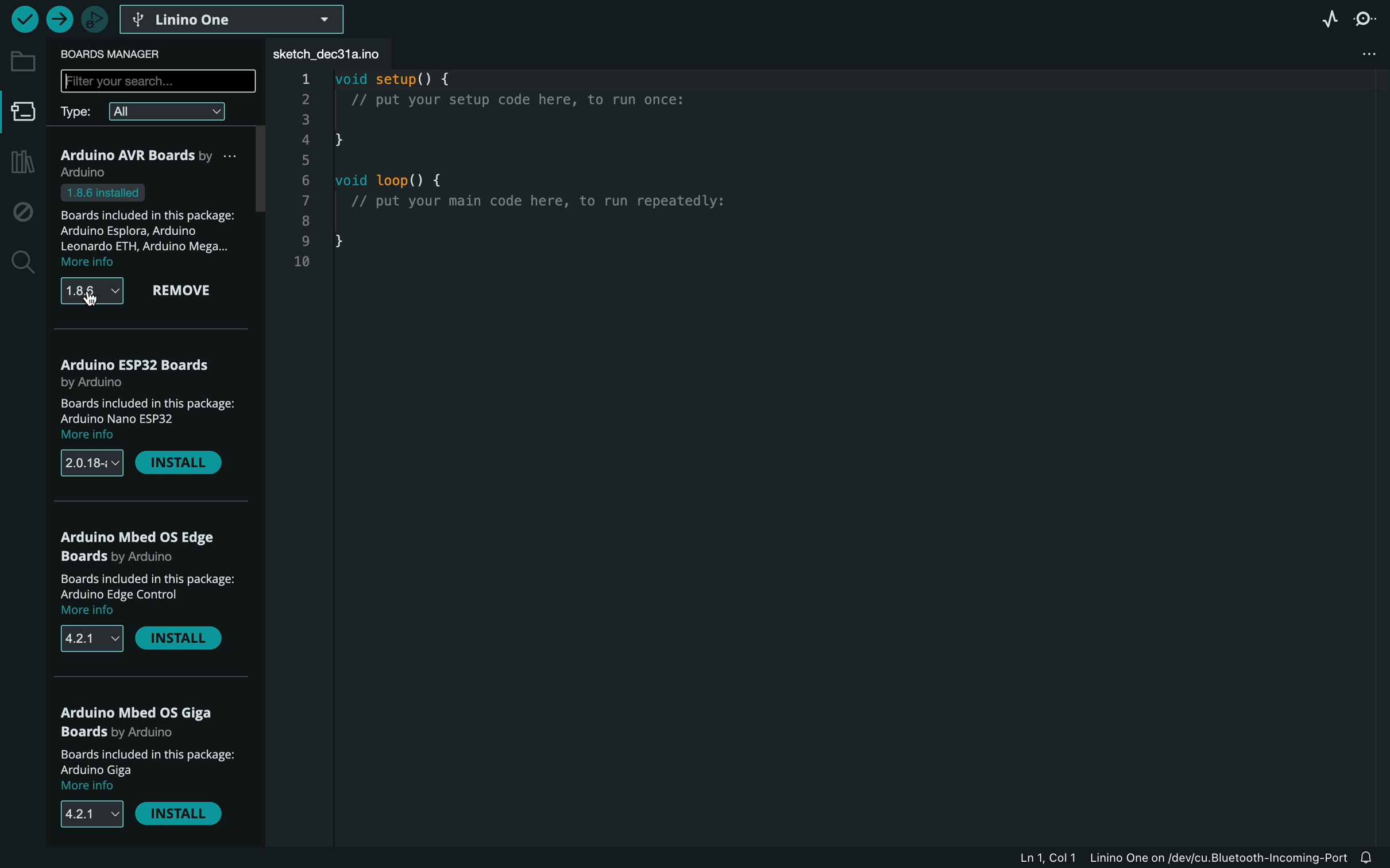 Image resolution: width=1390 pixels, height=868 pixels. I want to click on remove, so click(190, 292).